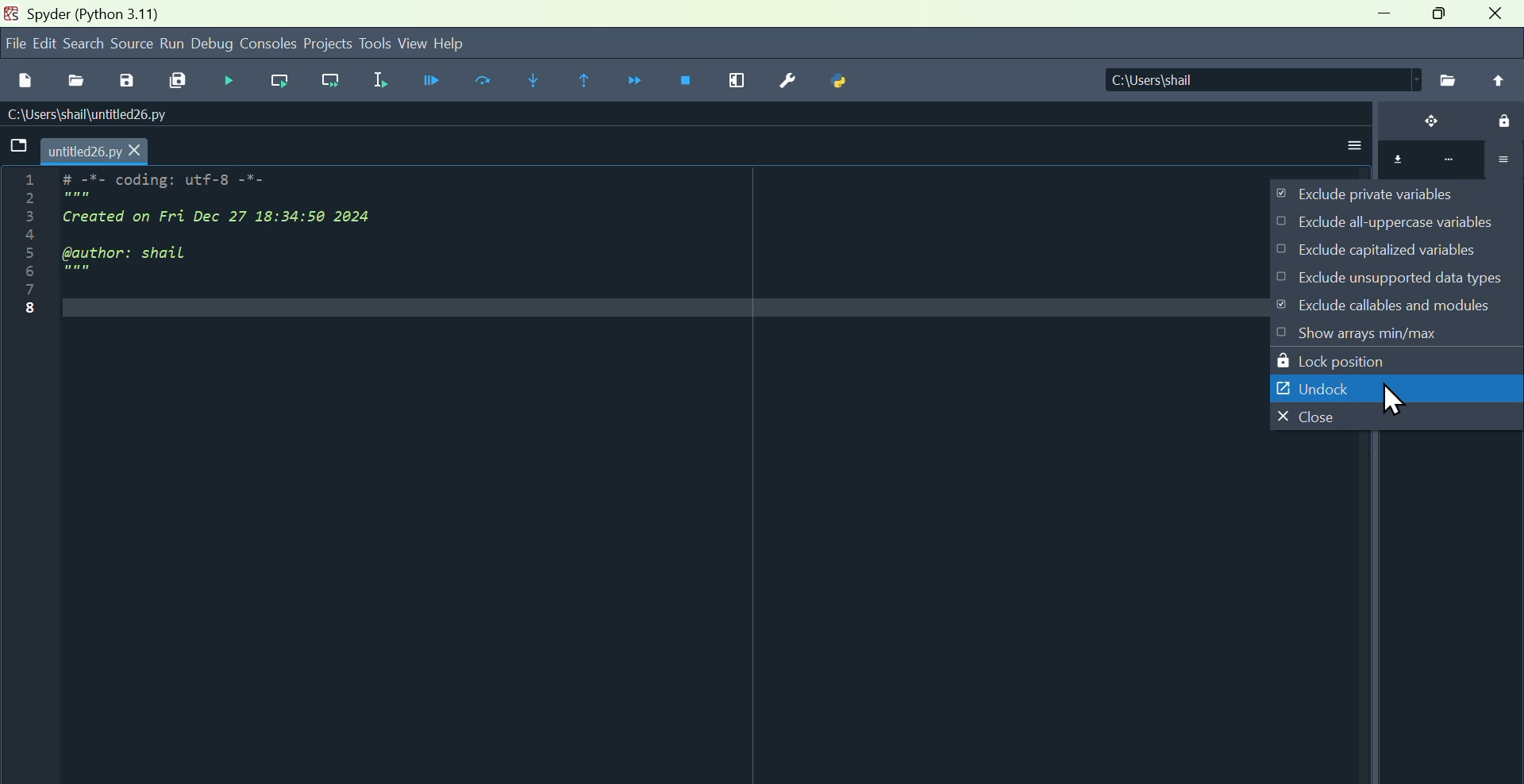  What do you see at coordinates (99, 151) in the screenshot?
I see `untitled26.py ` at bounding box center [99, 151].